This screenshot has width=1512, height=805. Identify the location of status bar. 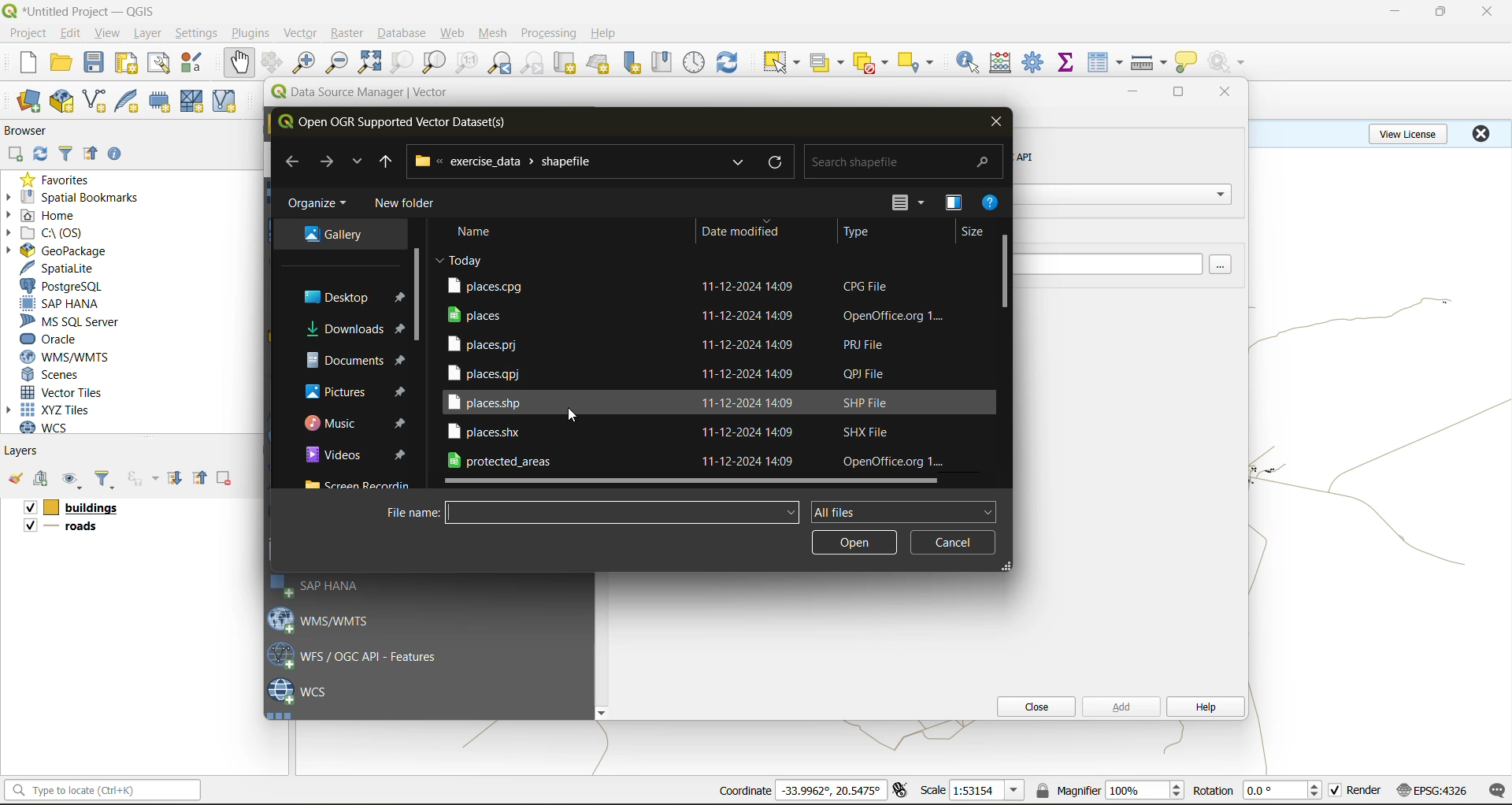
(100, 789).